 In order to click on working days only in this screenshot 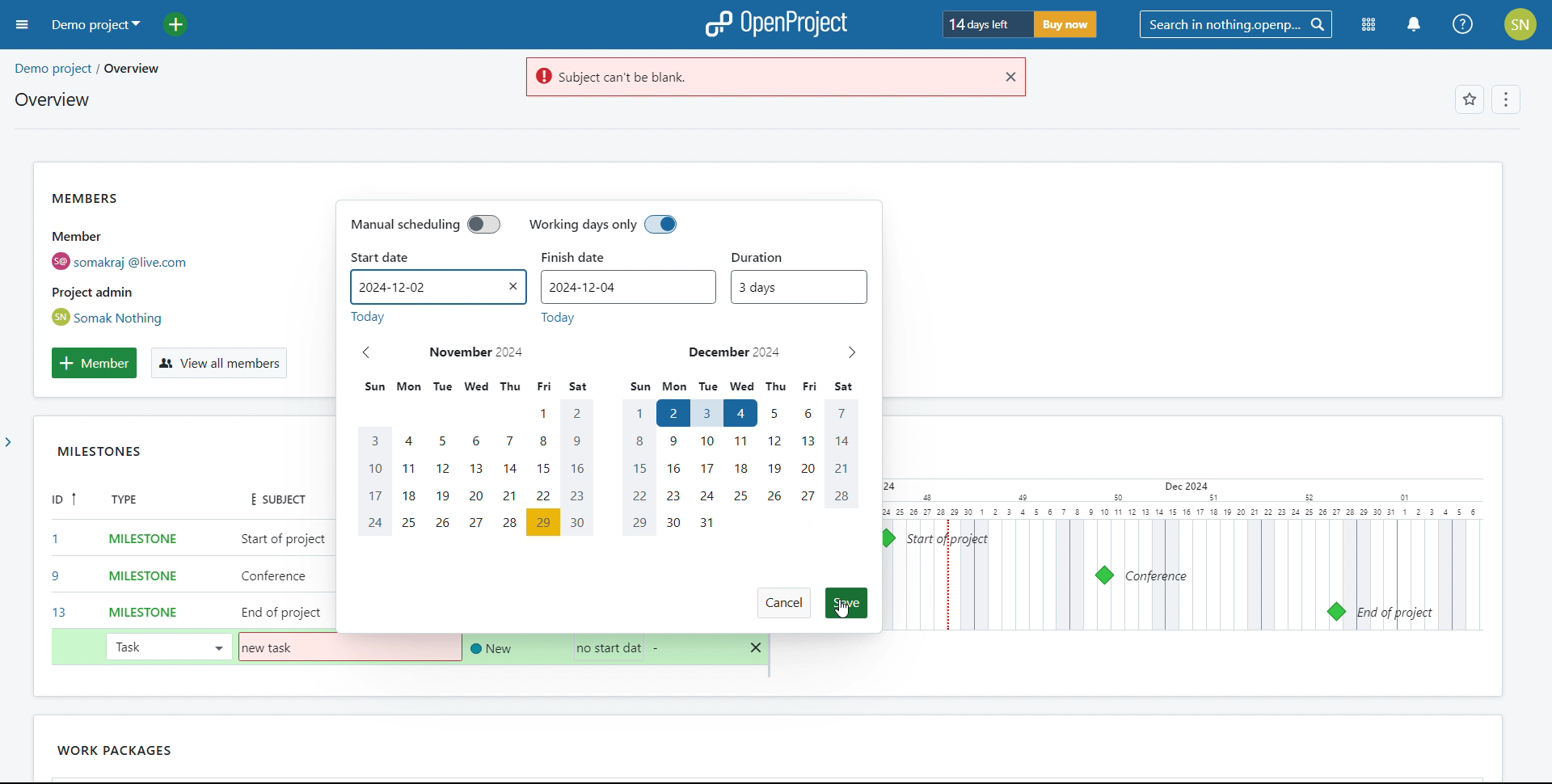, I will do `click(604, 226)`.